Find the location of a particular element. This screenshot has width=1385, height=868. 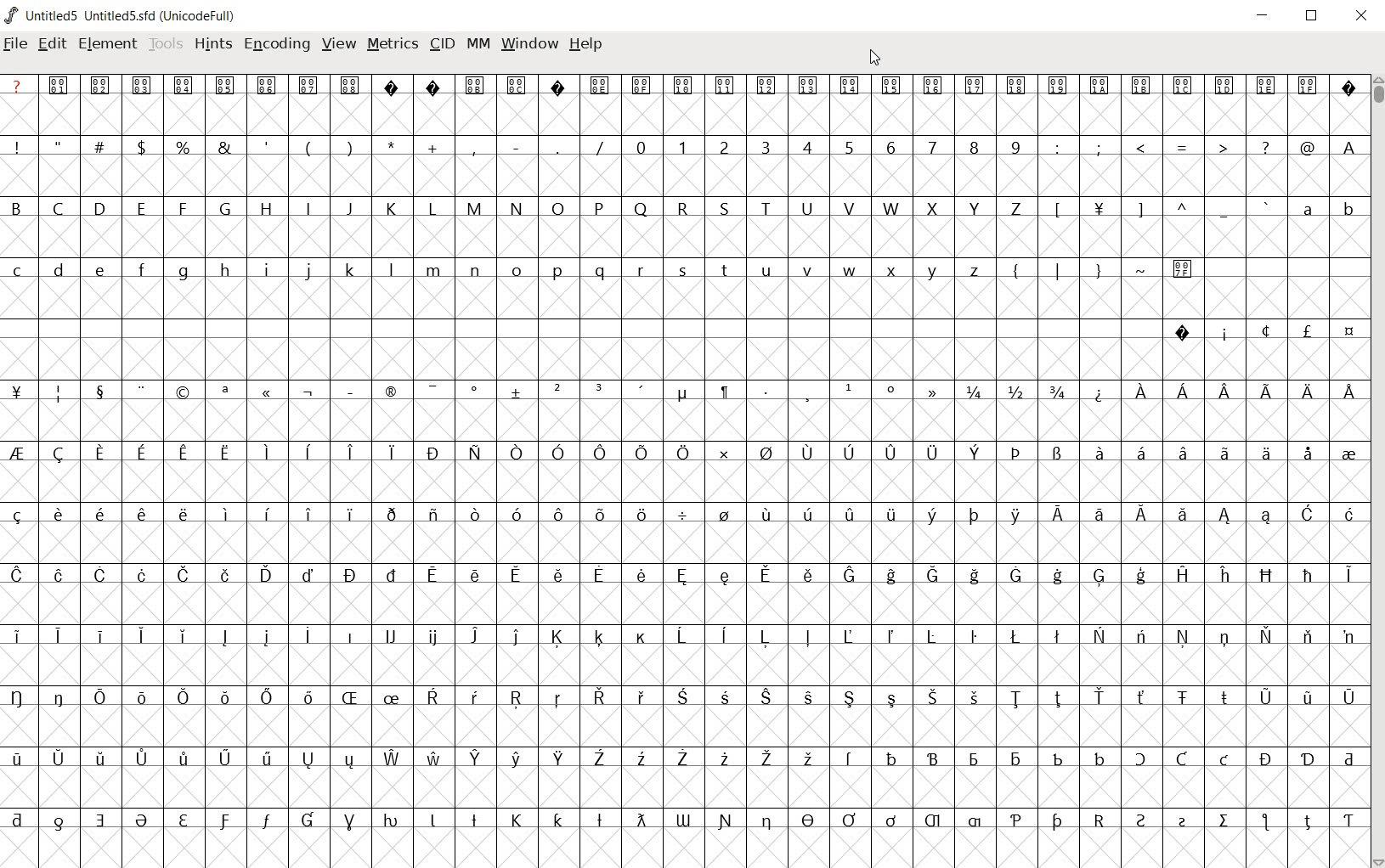

} is located at coordinates (1097, 268).